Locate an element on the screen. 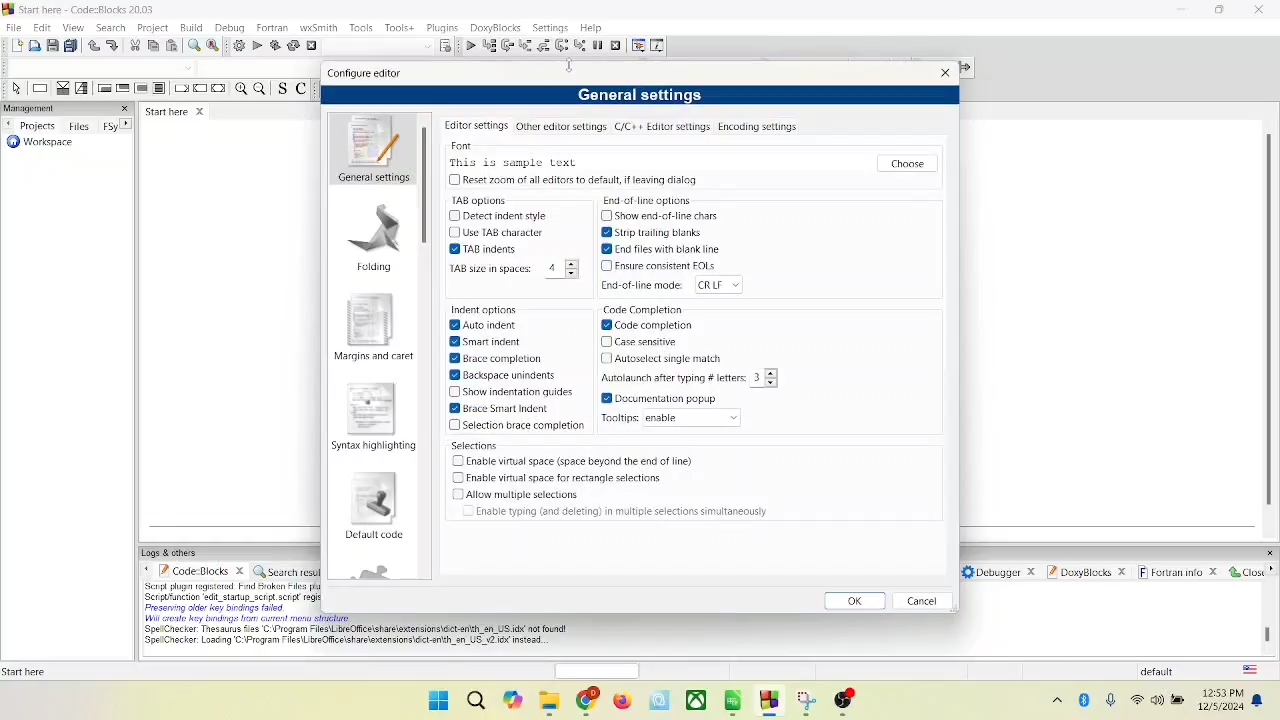 This screenshot has height=720, width=1280. brace completion is located at coordinates (524, 427).